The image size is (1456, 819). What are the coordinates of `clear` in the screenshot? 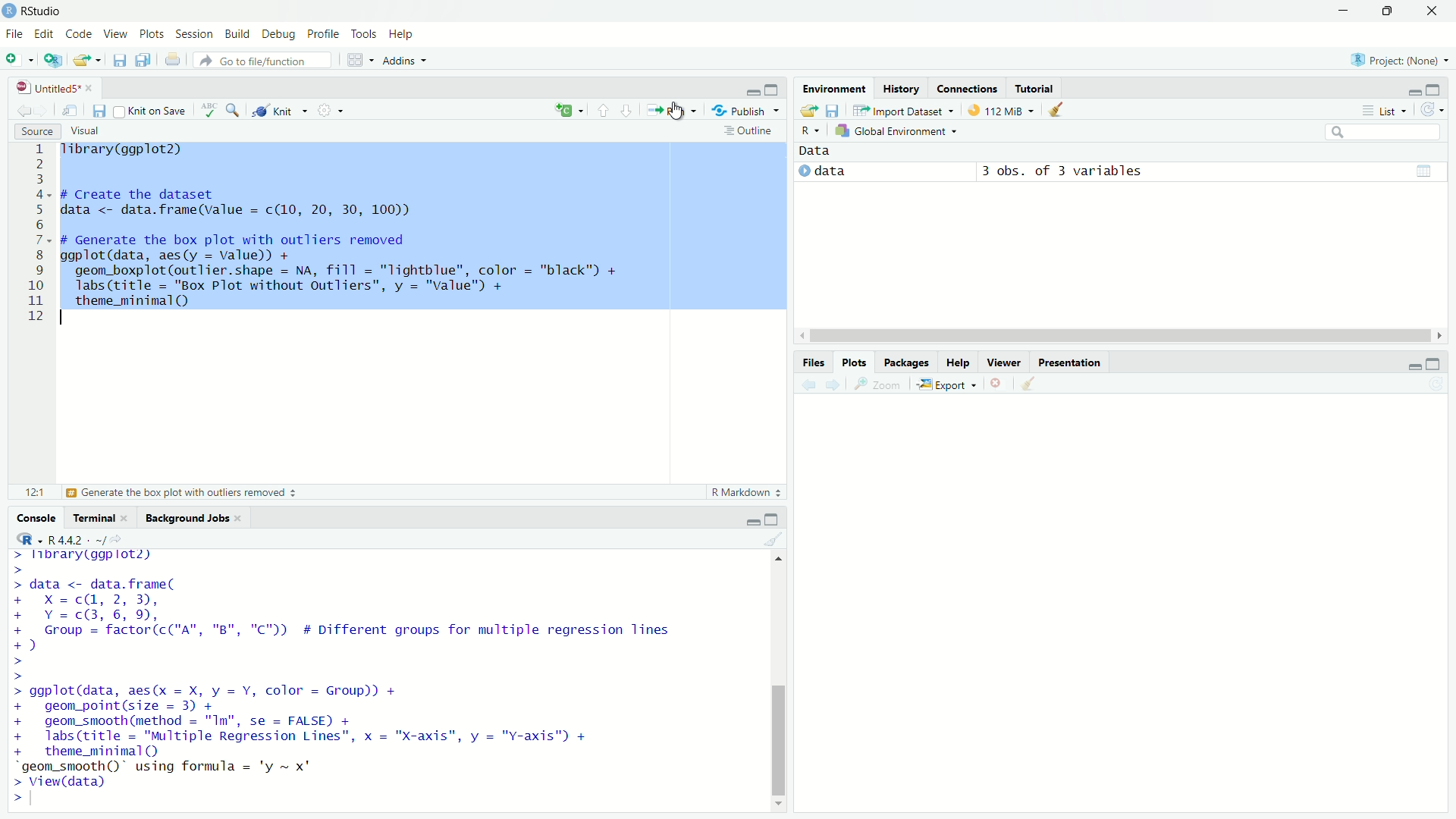 It's located at (1023, 382).